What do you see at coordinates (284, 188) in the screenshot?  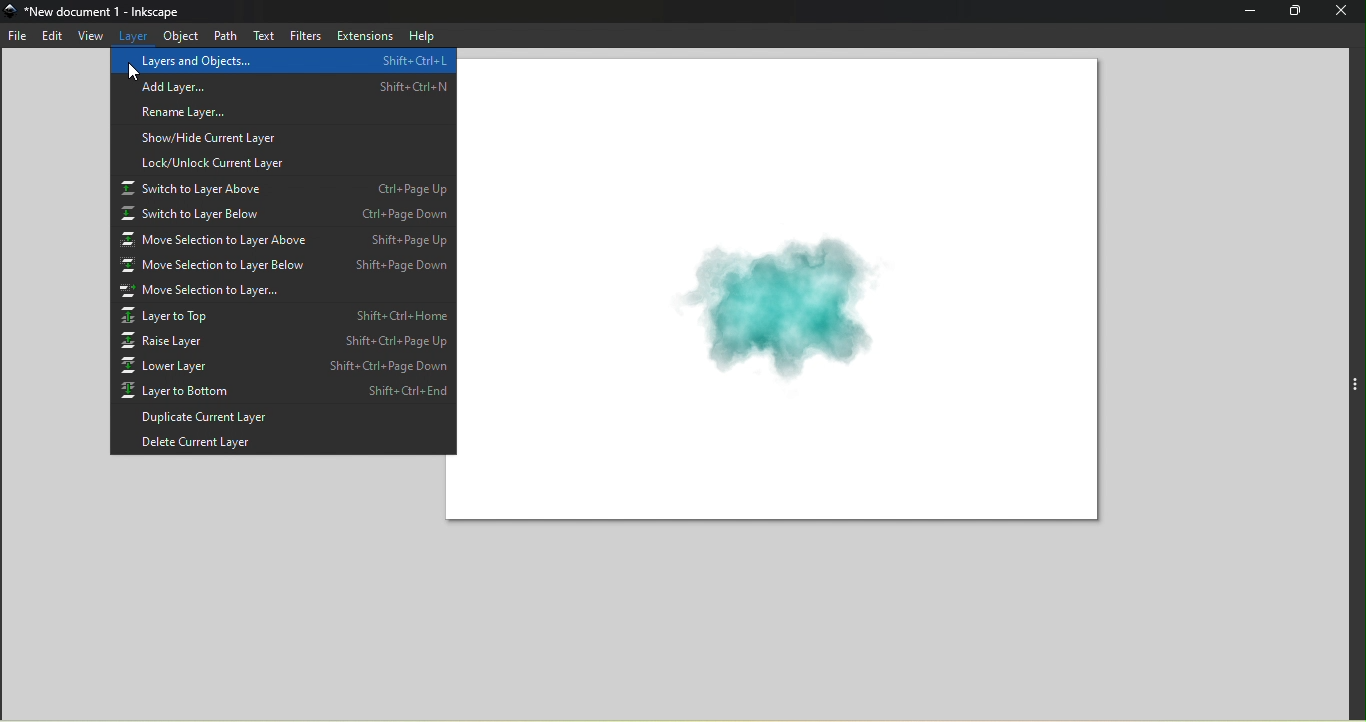 I see `Switch to layer above` at bounding box center [284, 188].